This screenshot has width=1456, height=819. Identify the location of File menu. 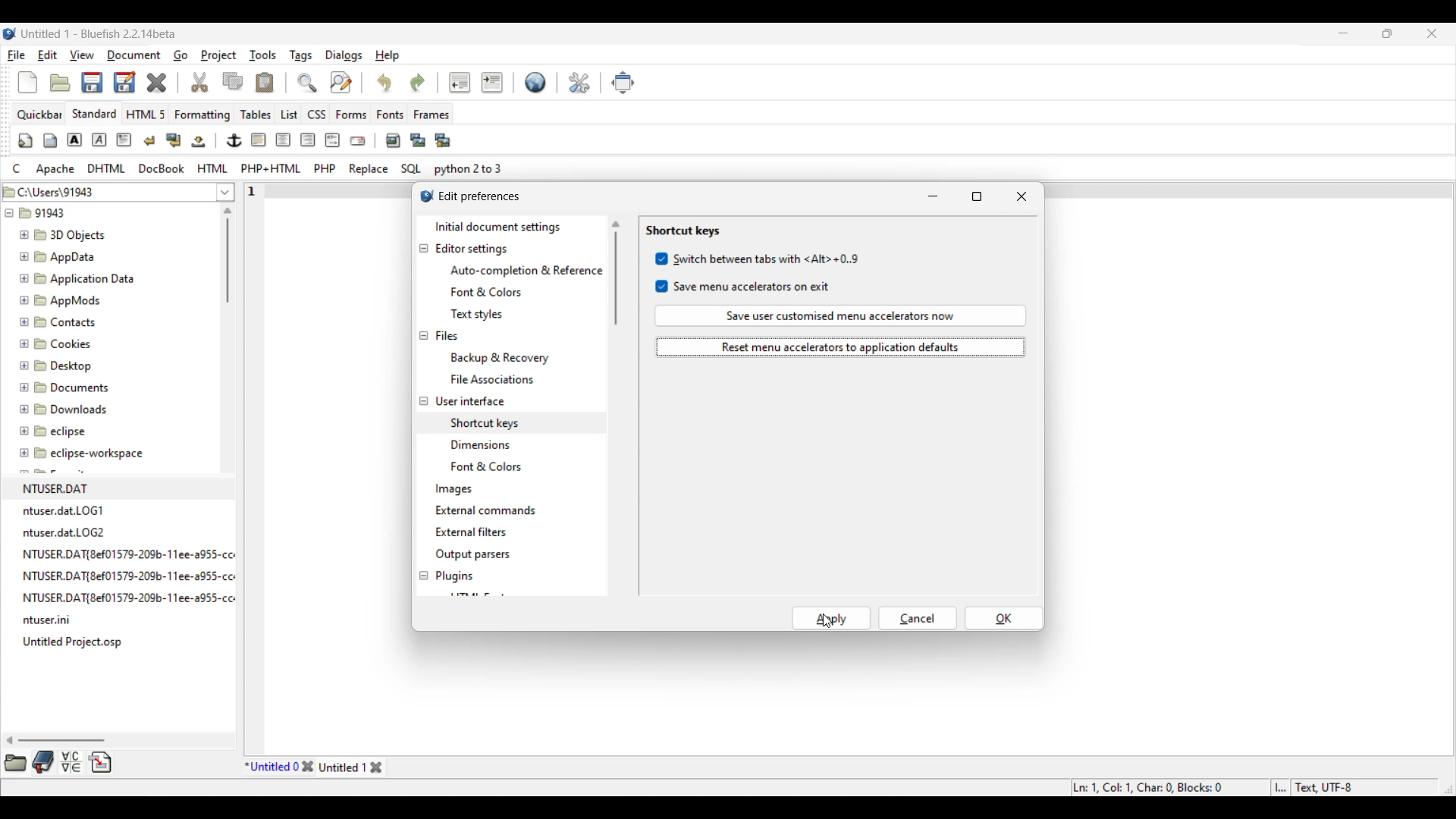
(17, 55).